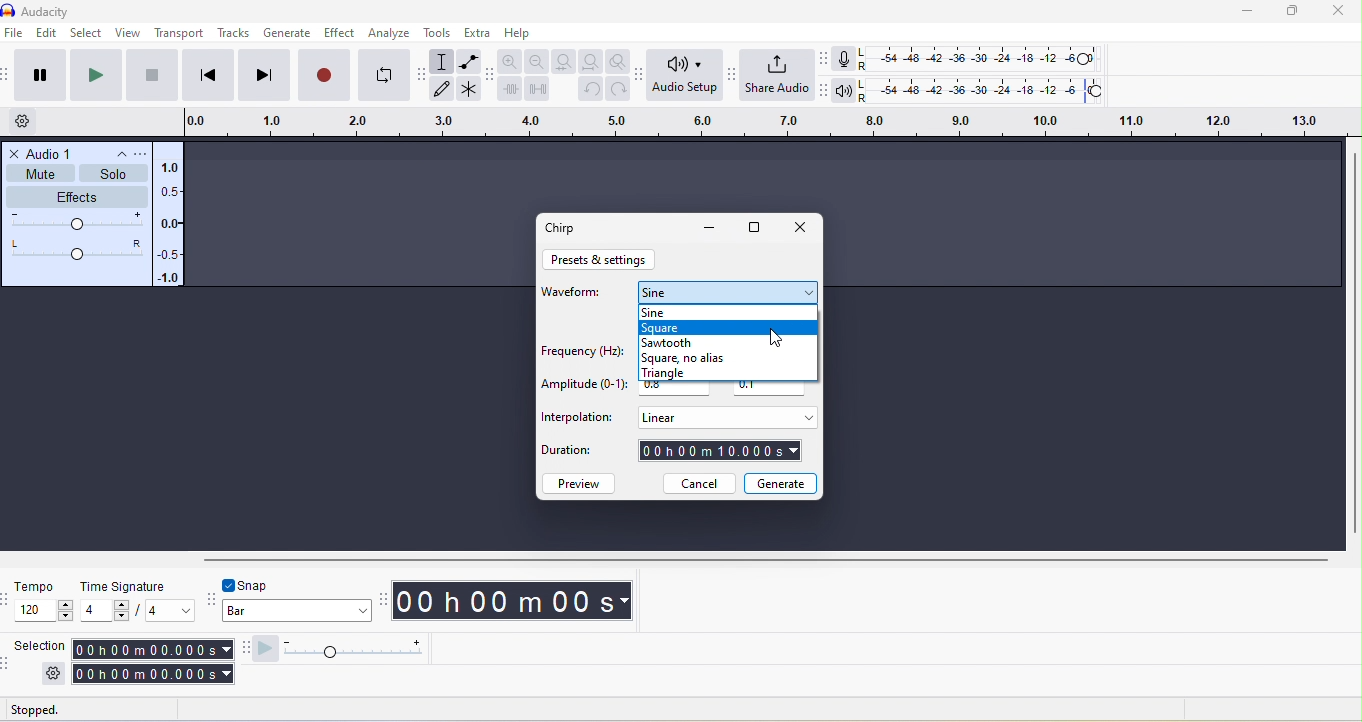  Describe the element at coordinates (728, 328) in the screenshot. I see `square` at that location.